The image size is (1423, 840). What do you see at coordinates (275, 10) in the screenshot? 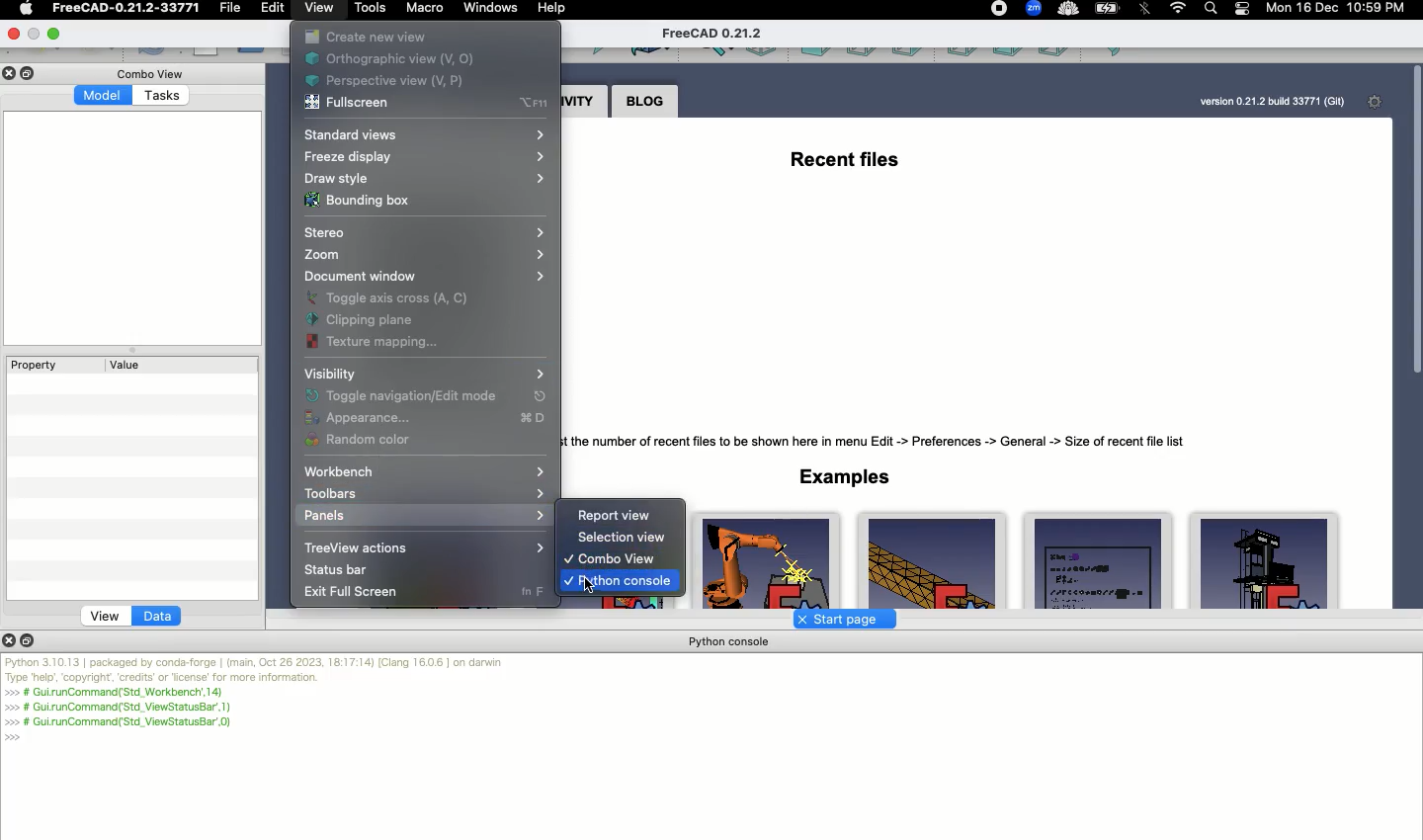
I see `Edit` at bounding box center [275, 10].